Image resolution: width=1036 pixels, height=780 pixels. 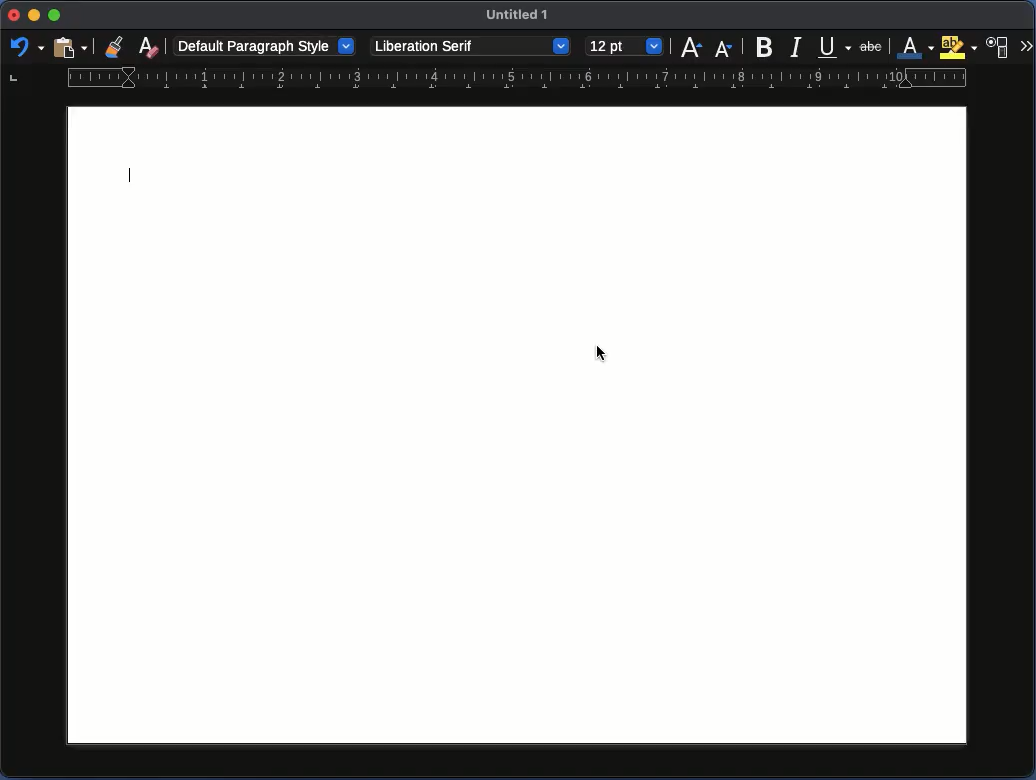 What do you see at coordinates (265, 45) in the screenshot?
I see `Paragraph style` at bounding box center [265, 45].